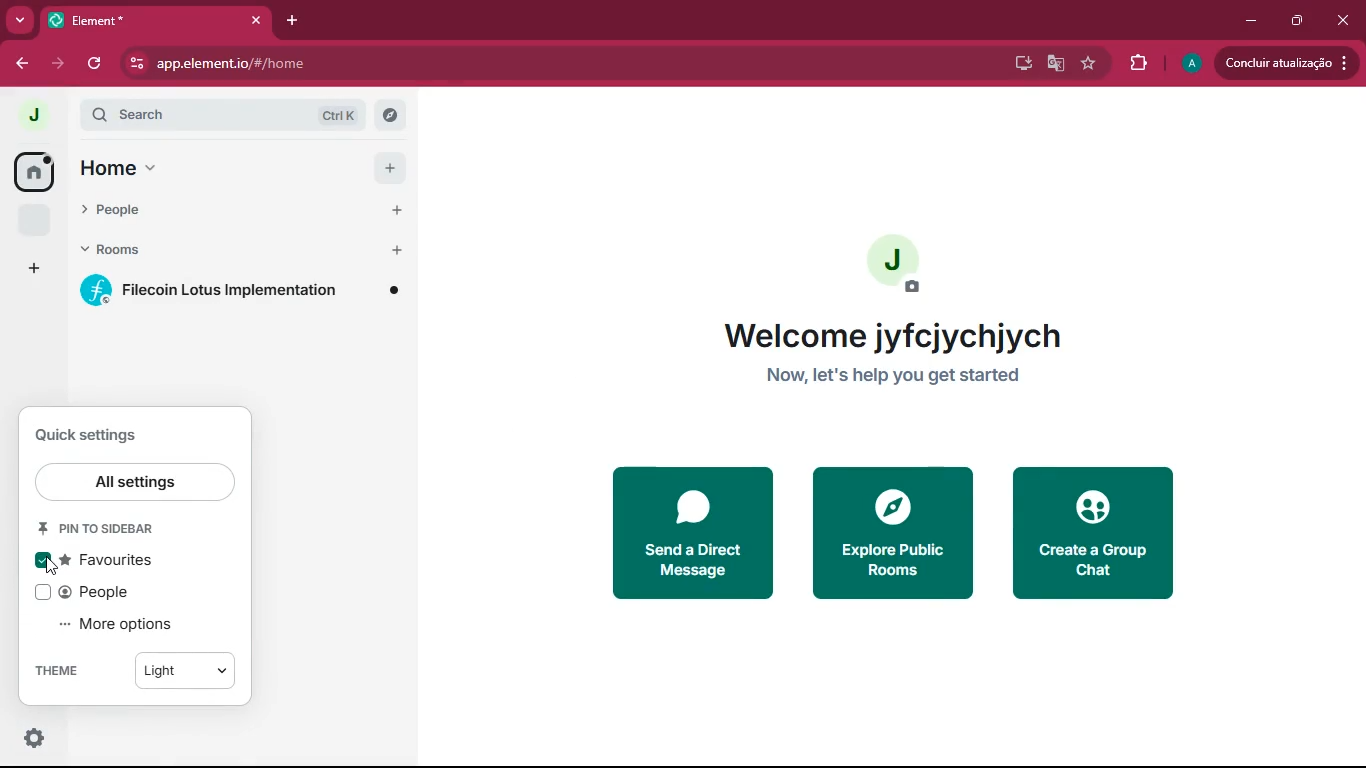 The height and width of the screenshot is (768, 1366). What do you see at coordinates (689, 533) in the screenshot?
I see `send message` at bounding box center [689, 533].